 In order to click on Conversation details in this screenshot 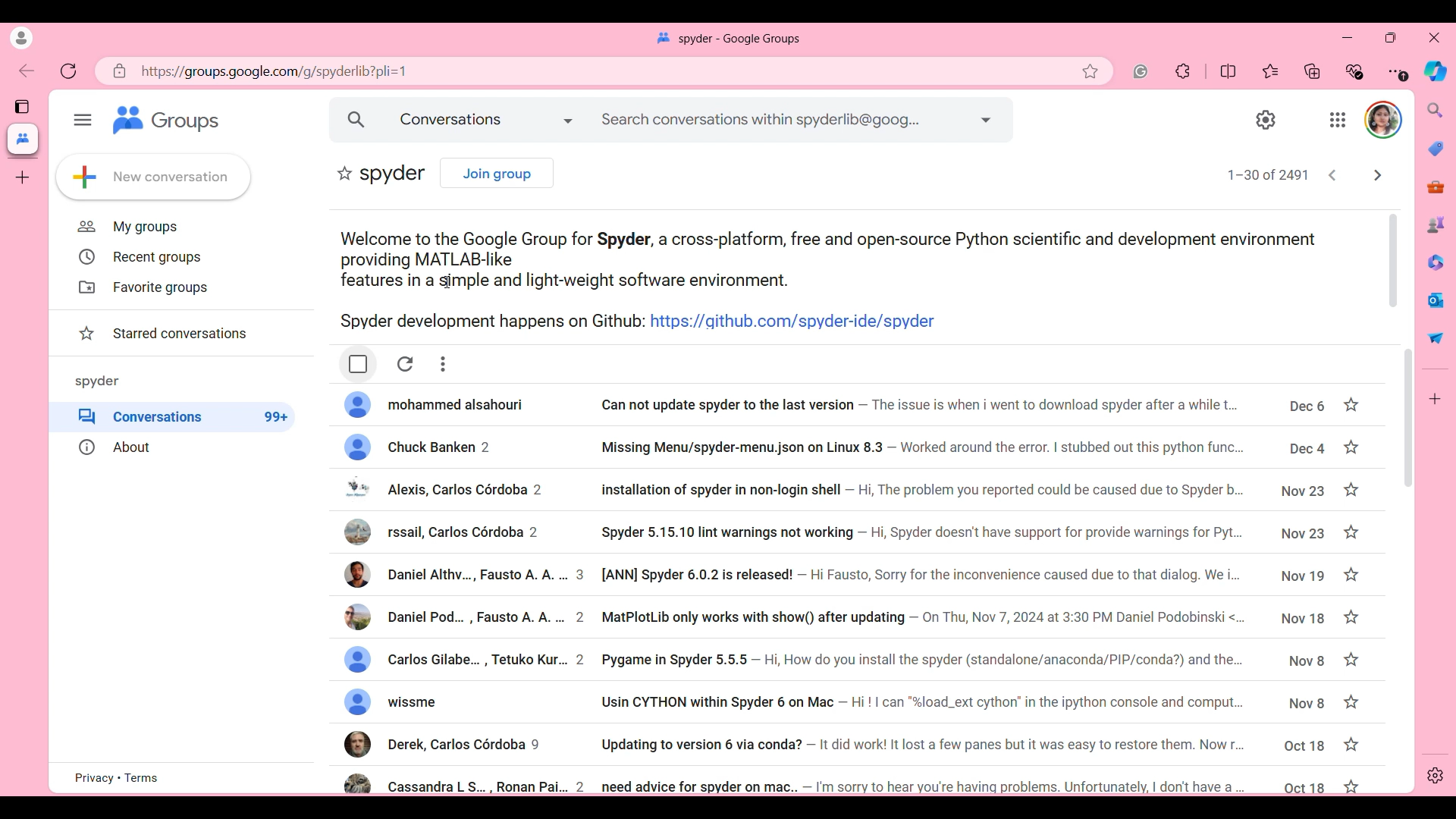, I will do `click(838, 590)`.